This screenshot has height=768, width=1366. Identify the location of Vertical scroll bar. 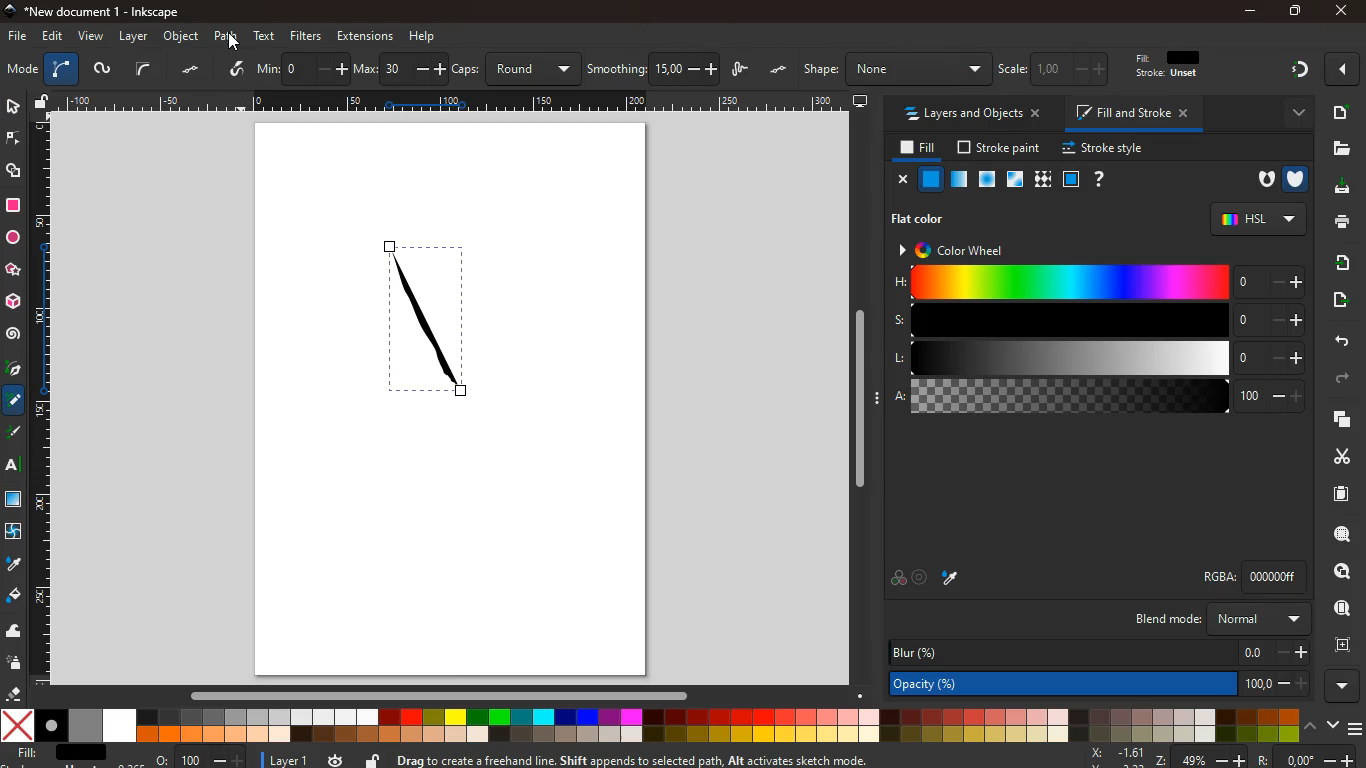
(855, 399).